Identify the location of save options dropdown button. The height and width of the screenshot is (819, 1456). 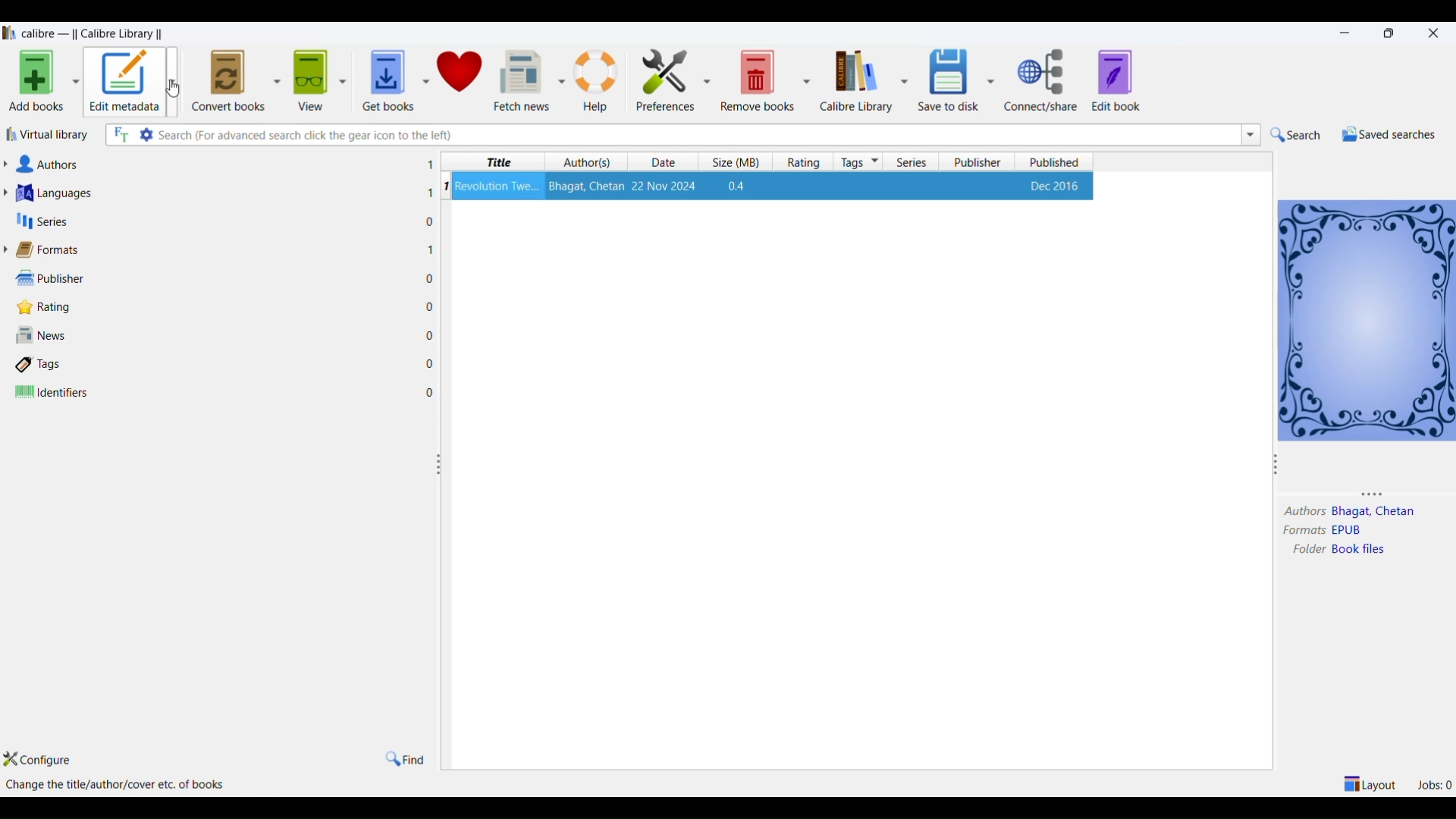
(991, 80).